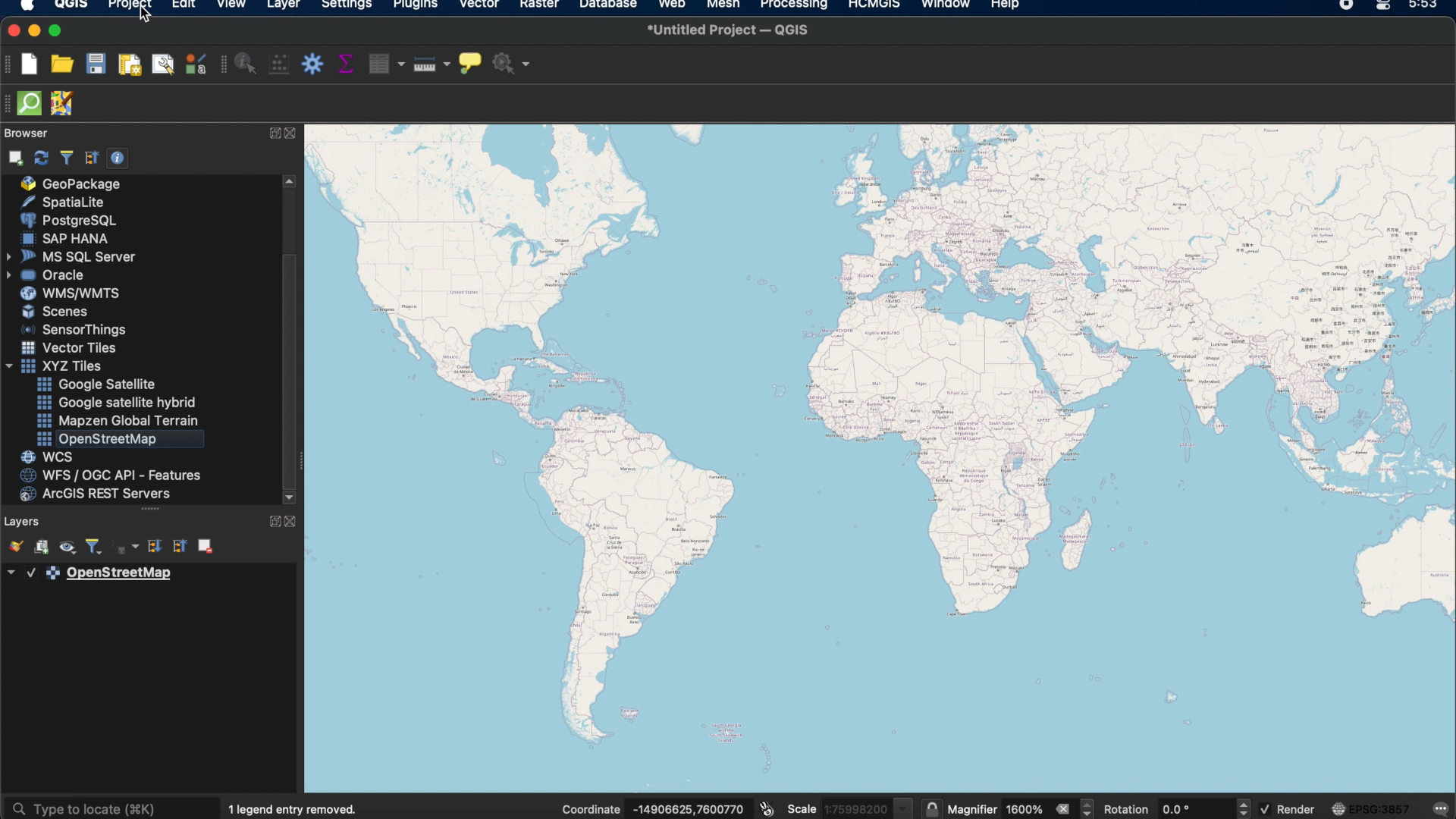 The image size is (1456, 819). What do you see at coordinates (194, 64) in the screenshot?
I see `style manager` at bounding box center [194, 64].